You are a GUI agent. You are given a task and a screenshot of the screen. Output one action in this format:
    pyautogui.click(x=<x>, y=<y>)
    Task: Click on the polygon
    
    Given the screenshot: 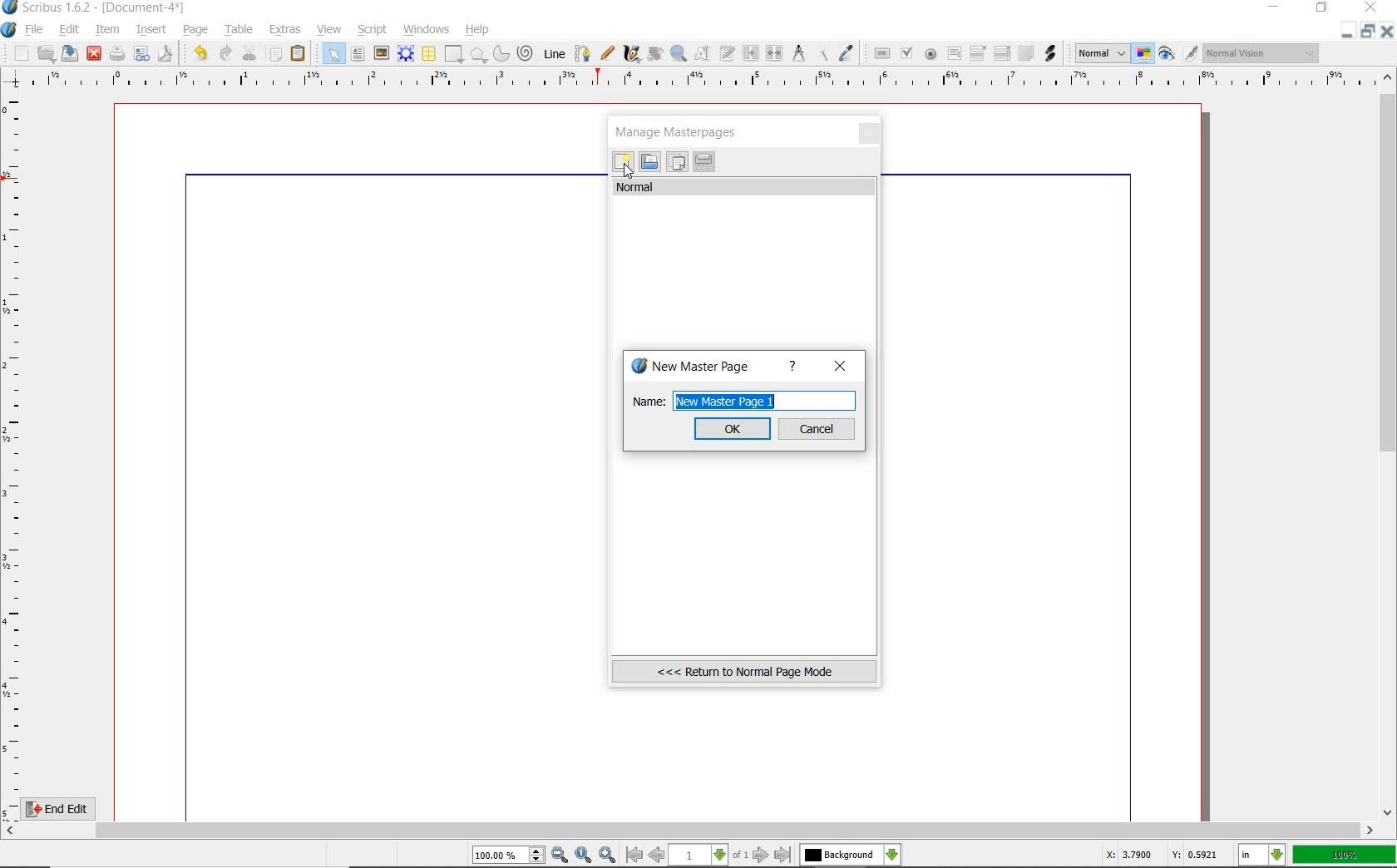 What is the action you would take?
    pyautogui.click(x=478, y=56)
    